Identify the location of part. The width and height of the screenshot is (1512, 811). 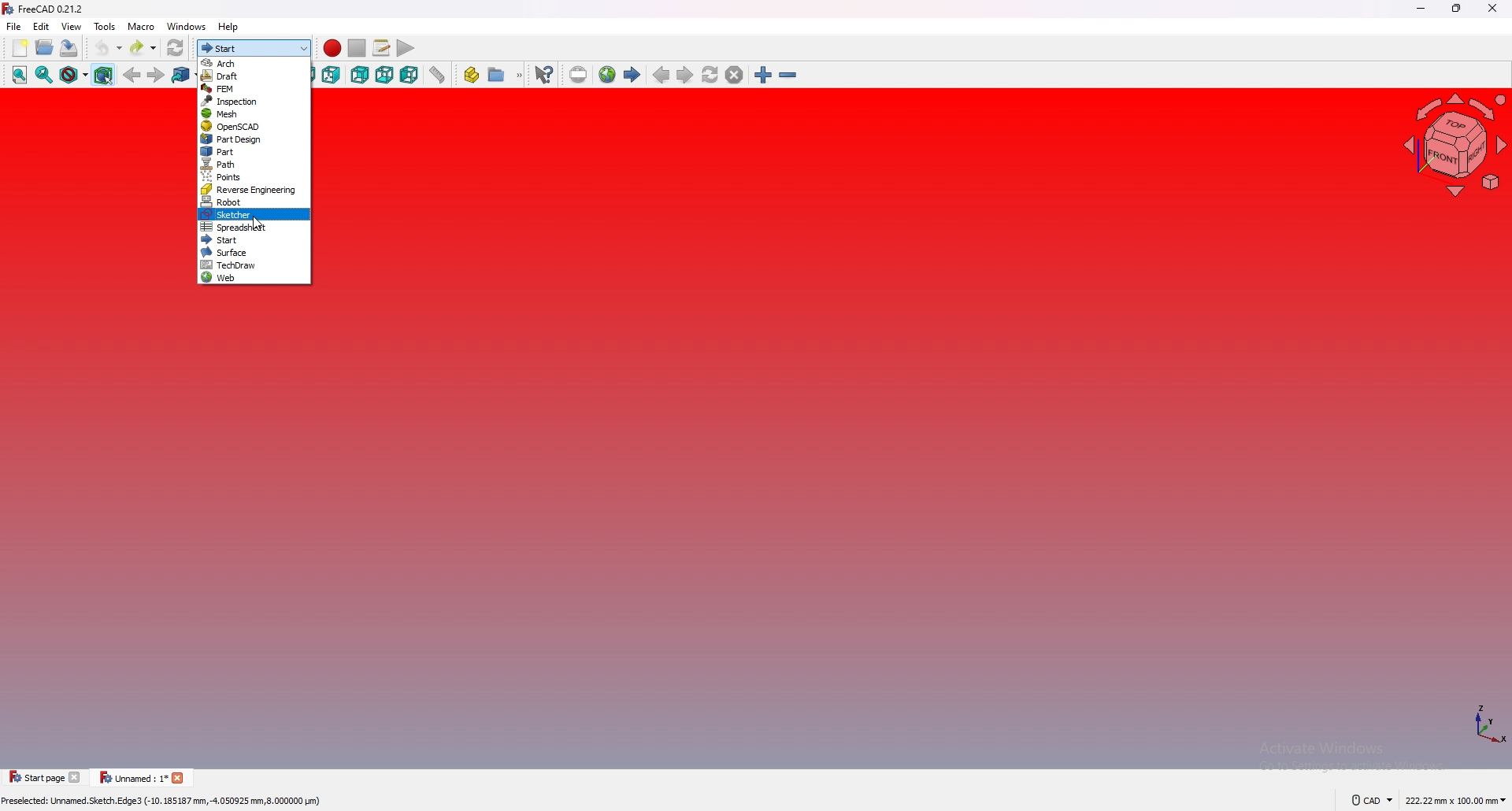
(253, 150).